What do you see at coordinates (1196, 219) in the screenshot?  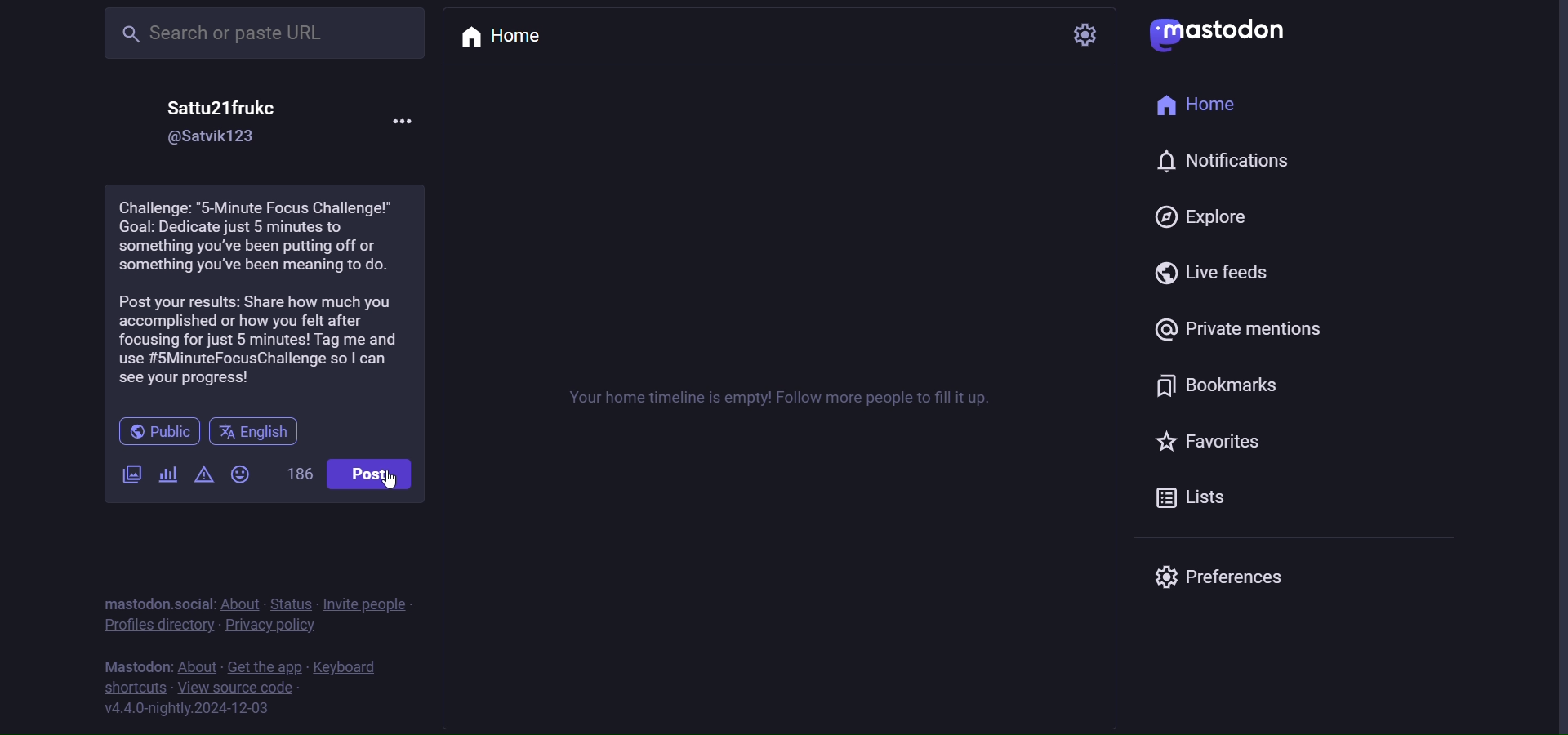 I see `explore` at bounding box center [1196, 219].